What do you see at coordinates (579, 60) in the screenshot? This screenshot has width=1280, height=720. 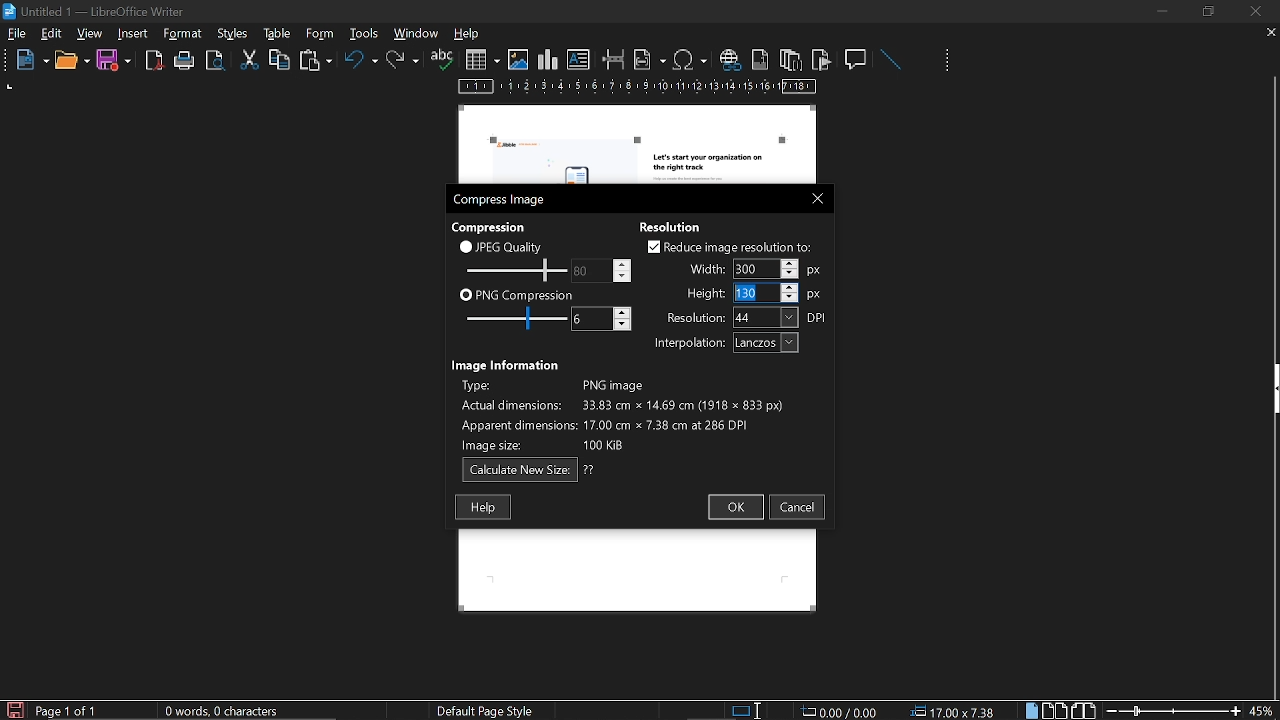 I see `insert text` at bounding box center [579, 60].